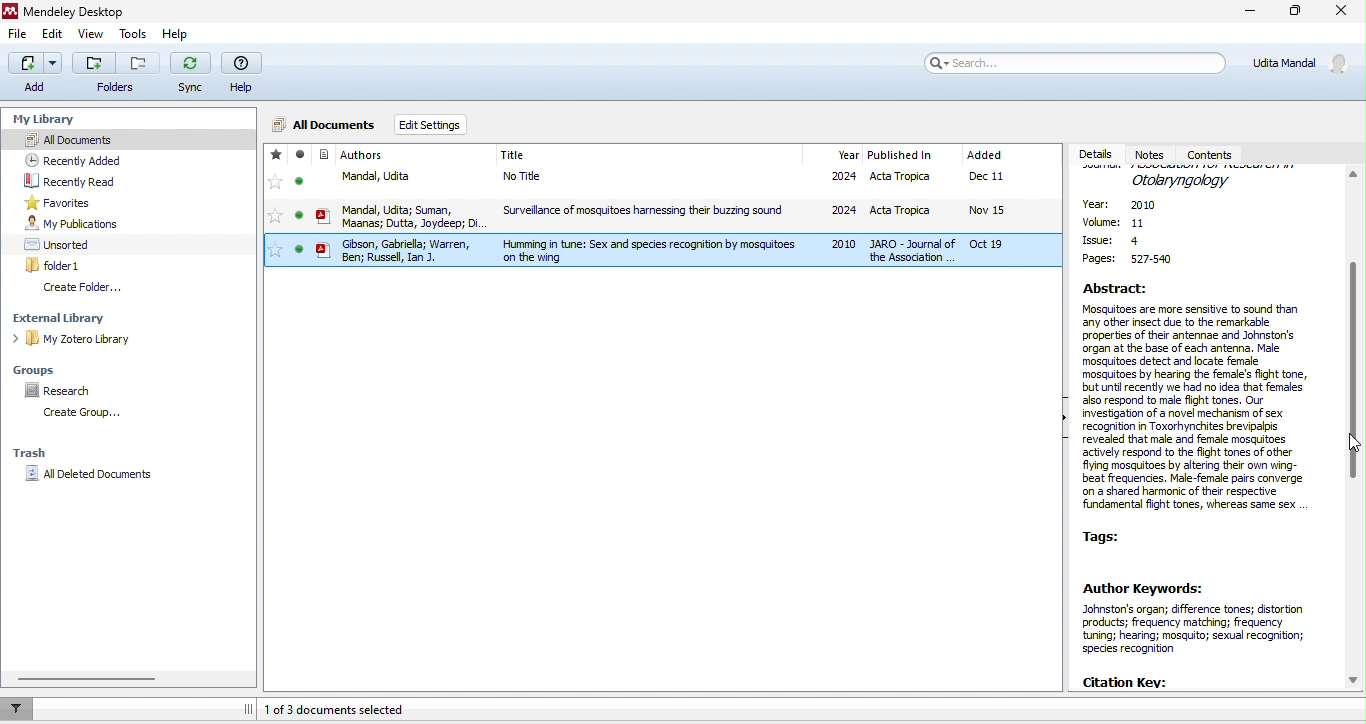 The image size is (1366, 724). What do you see at coordinates (72, 159) in the screenshot?
I see `recently added` at bounding box center [72, 159].